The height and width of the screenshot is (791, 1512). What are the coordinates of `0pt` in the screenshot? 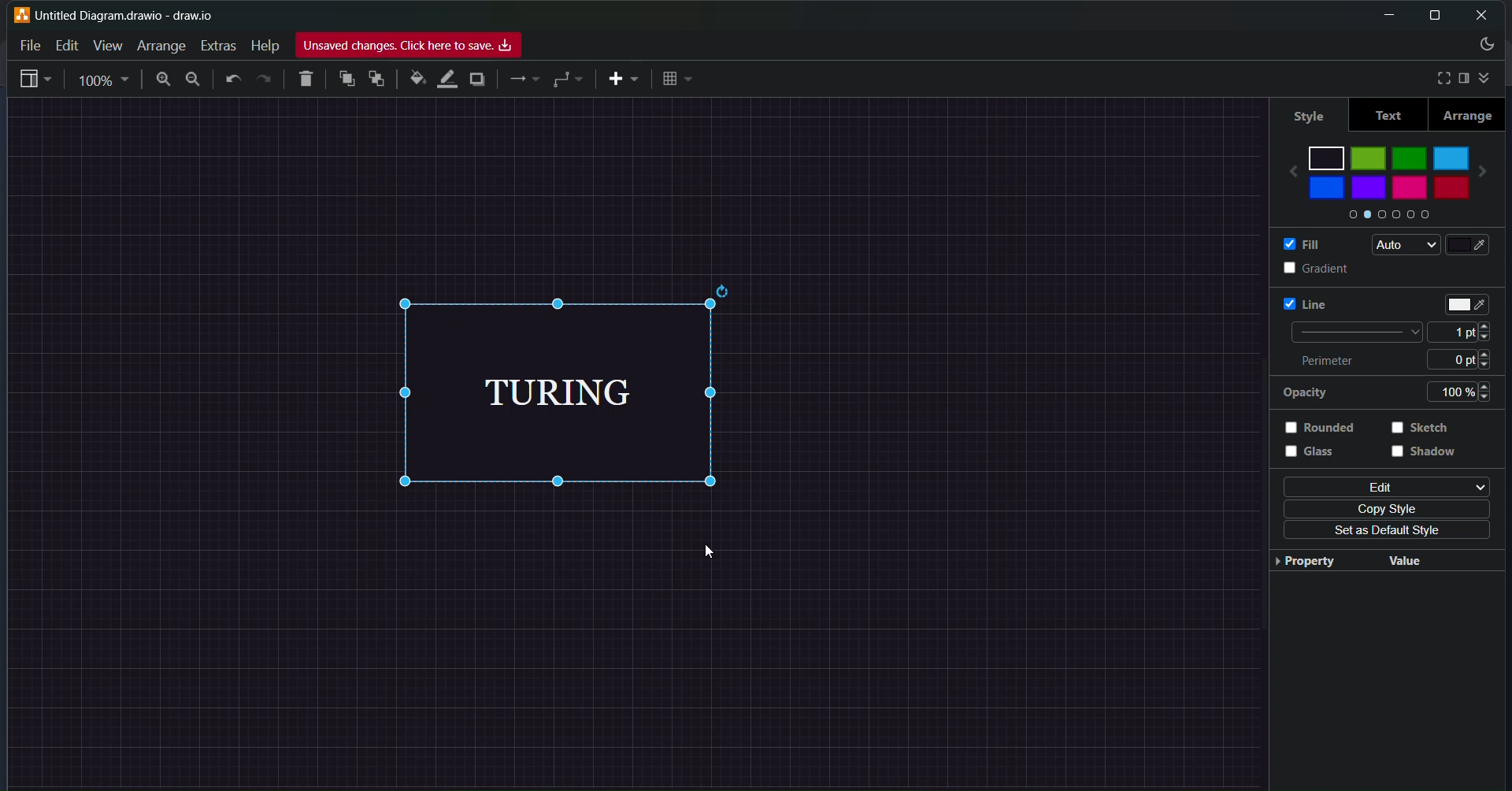 It's located at (1471, 358).